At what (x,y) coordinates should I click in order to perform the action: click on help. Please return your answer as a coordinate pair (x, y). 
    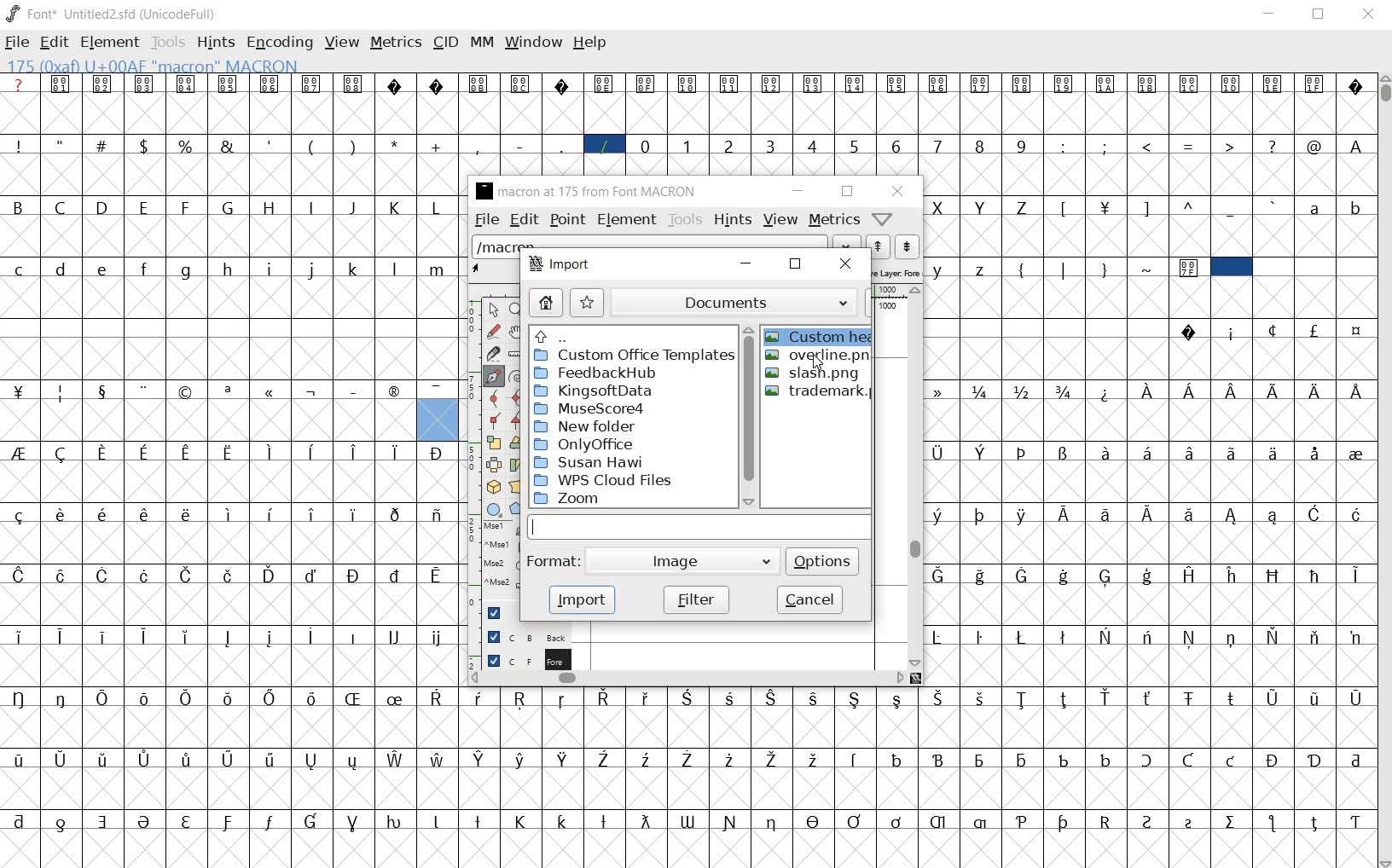
    Looking at the image, I should click on (883, 218).